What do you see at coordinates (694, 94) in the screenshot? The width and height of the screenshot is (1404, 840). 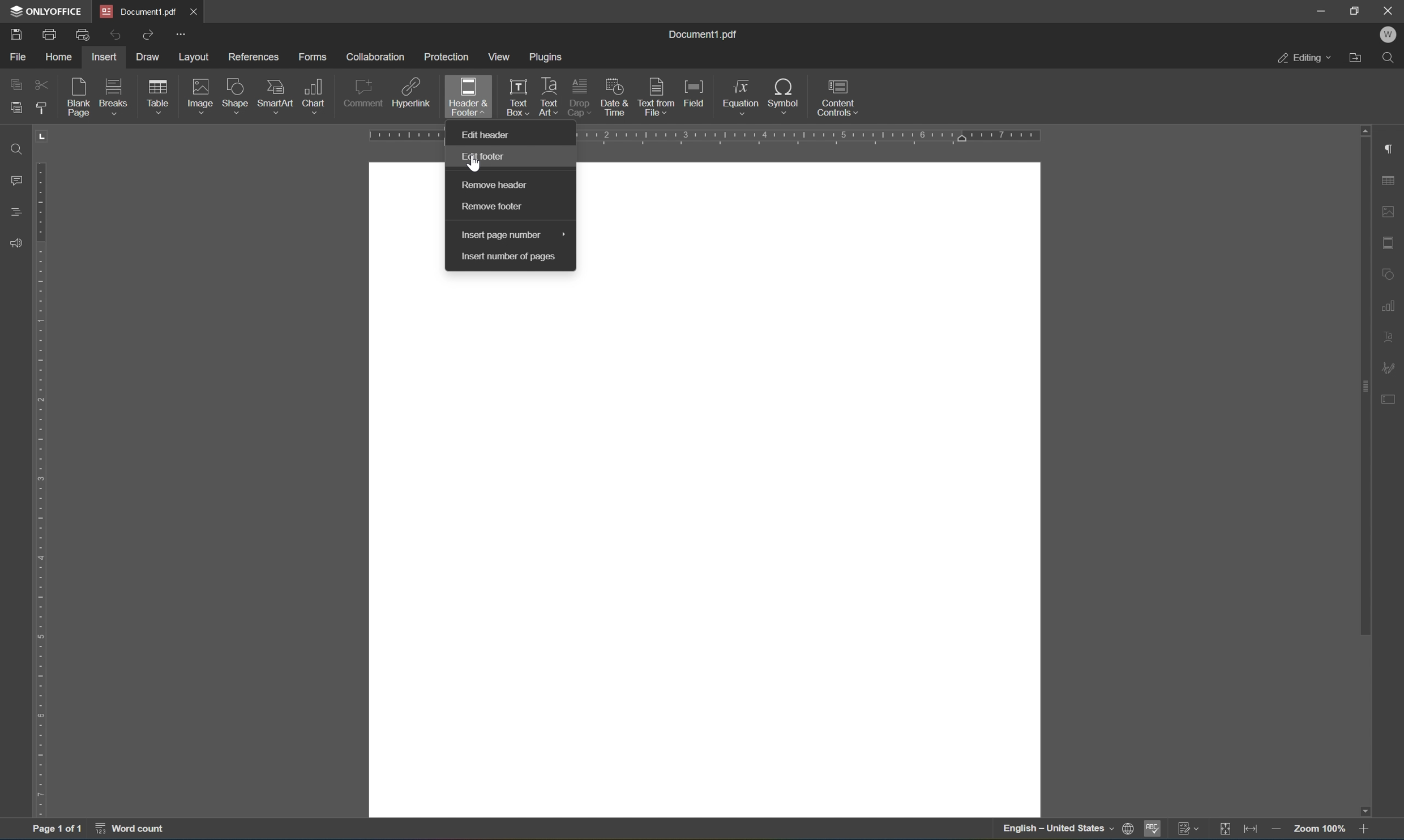 I see `field` at bounding box center [694, 94].